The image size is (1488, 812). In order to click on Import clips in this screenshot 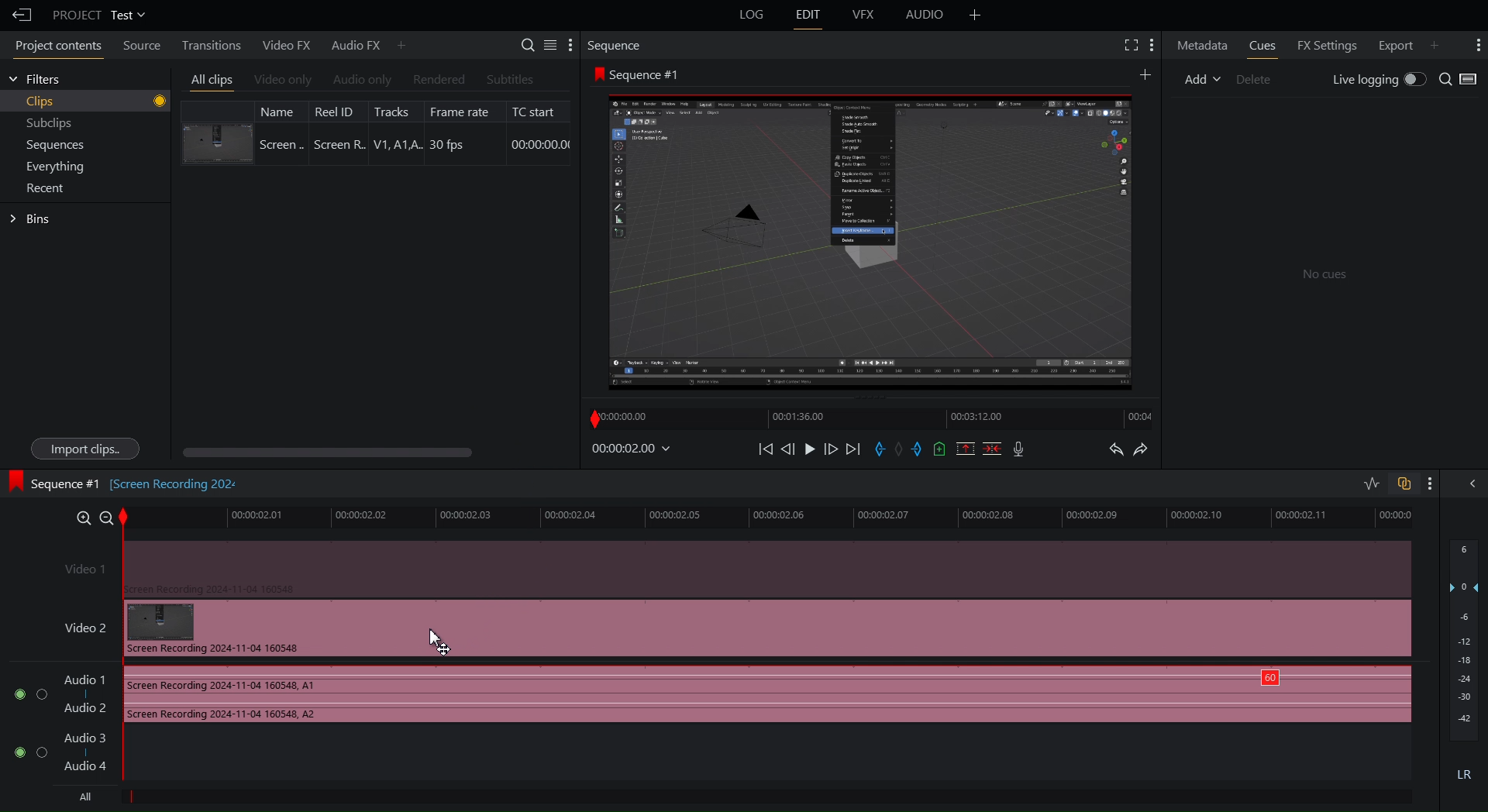, I will do `click(84, 449)`.